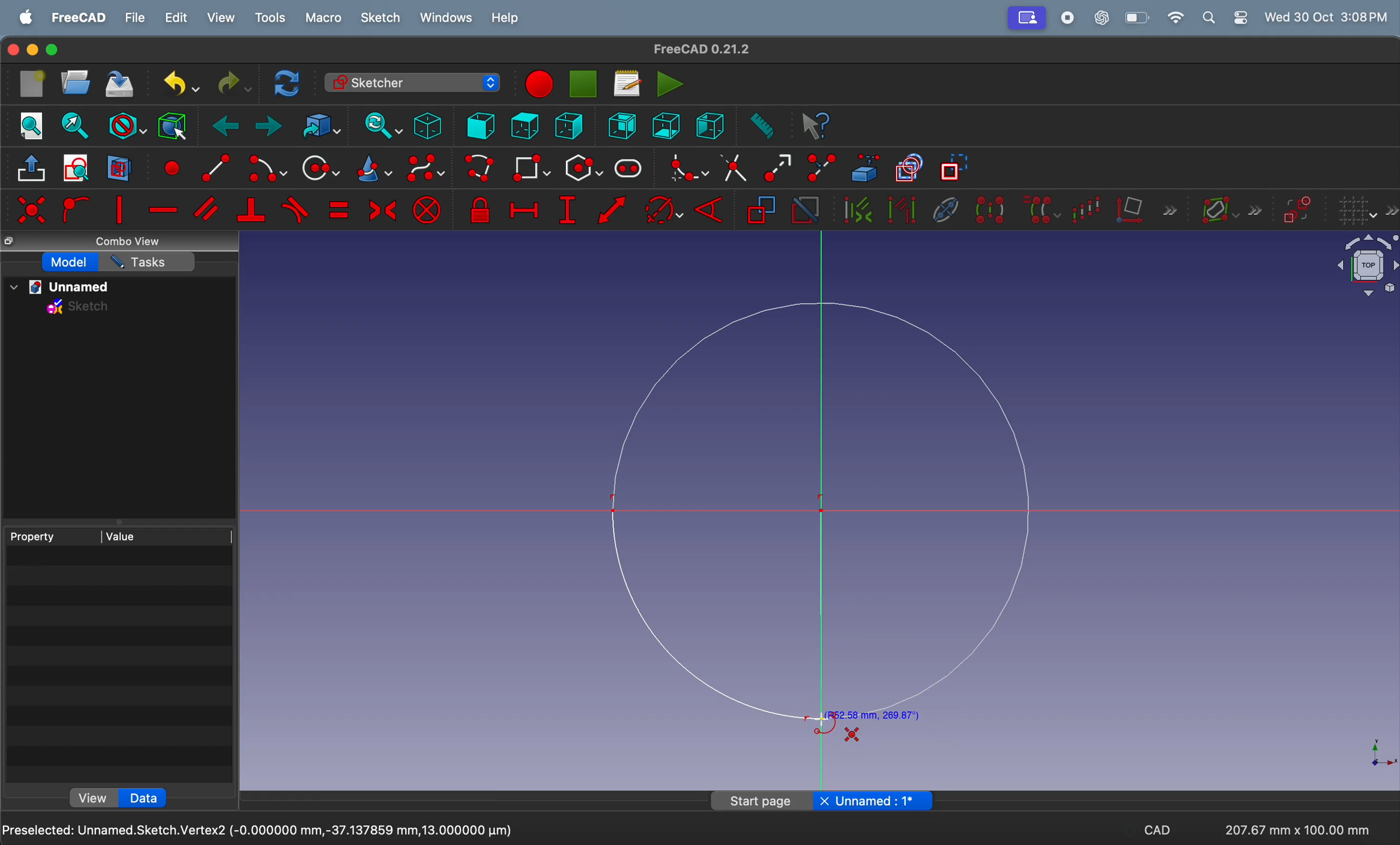 The image size is (1400, 845). What do you see at coordinates (943, 208) in the screenshot?
I see `hide internal geometry` at bounding box center [943, 208].